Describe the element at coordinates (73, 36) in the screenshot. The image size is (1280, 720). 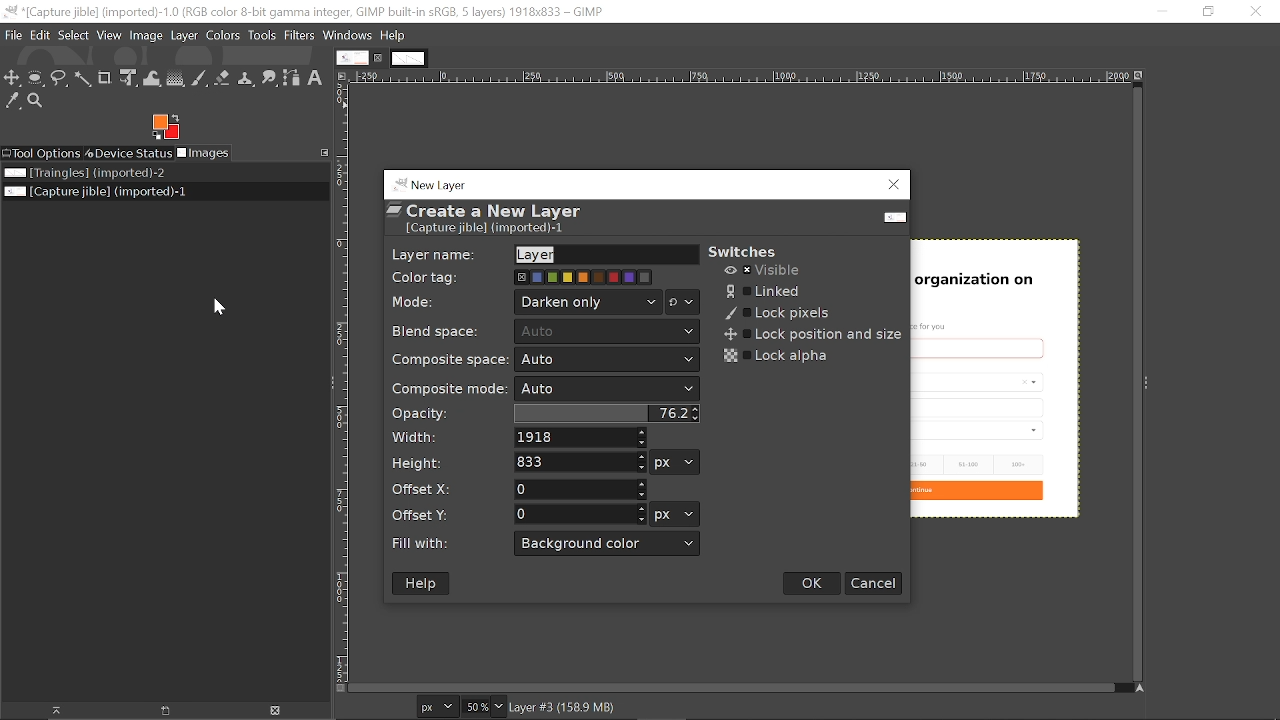
I see `Select` at that location.